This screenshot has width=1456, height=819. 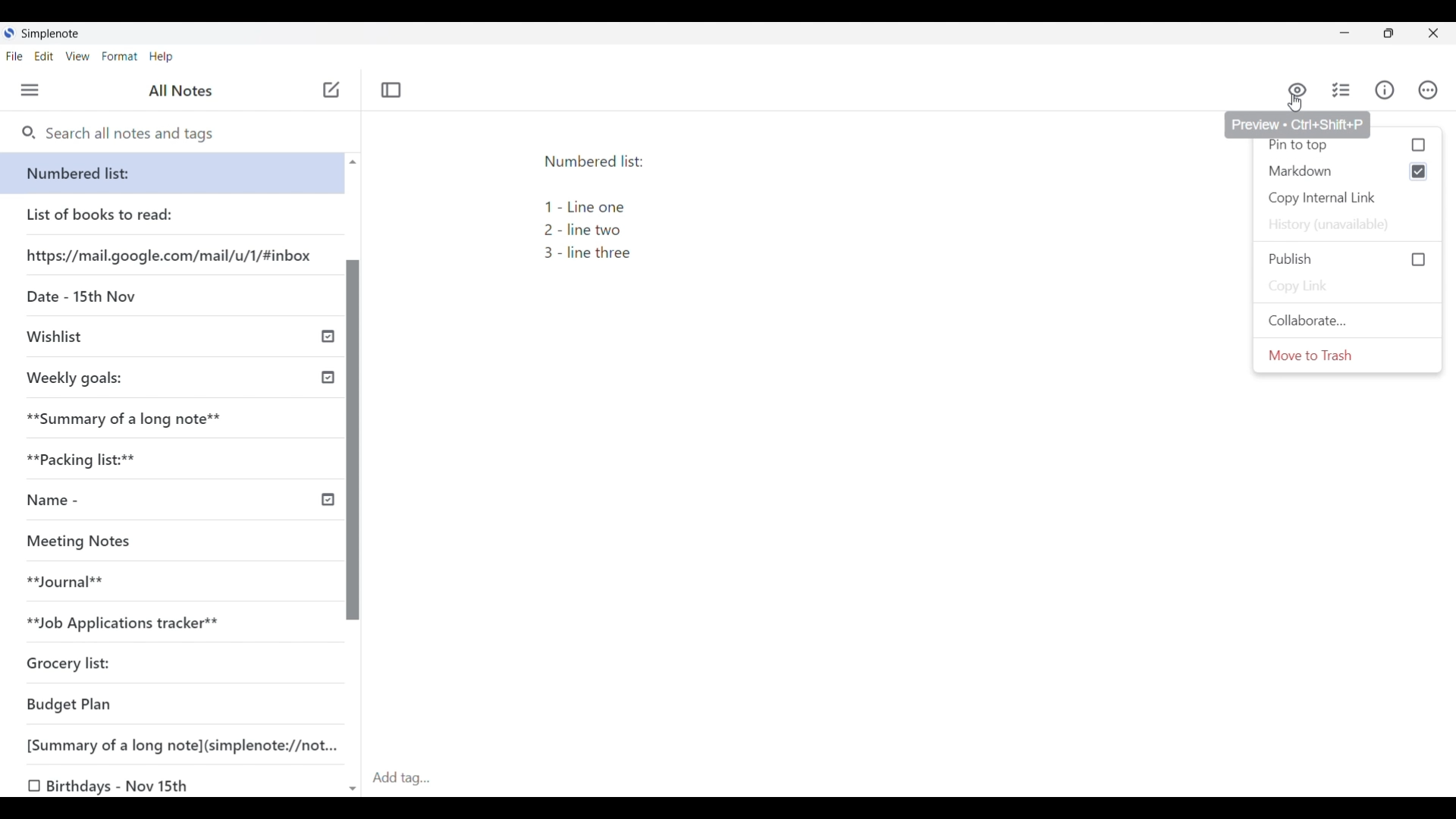 I want to click on enable checkbox, so click(x=1419, y=171).